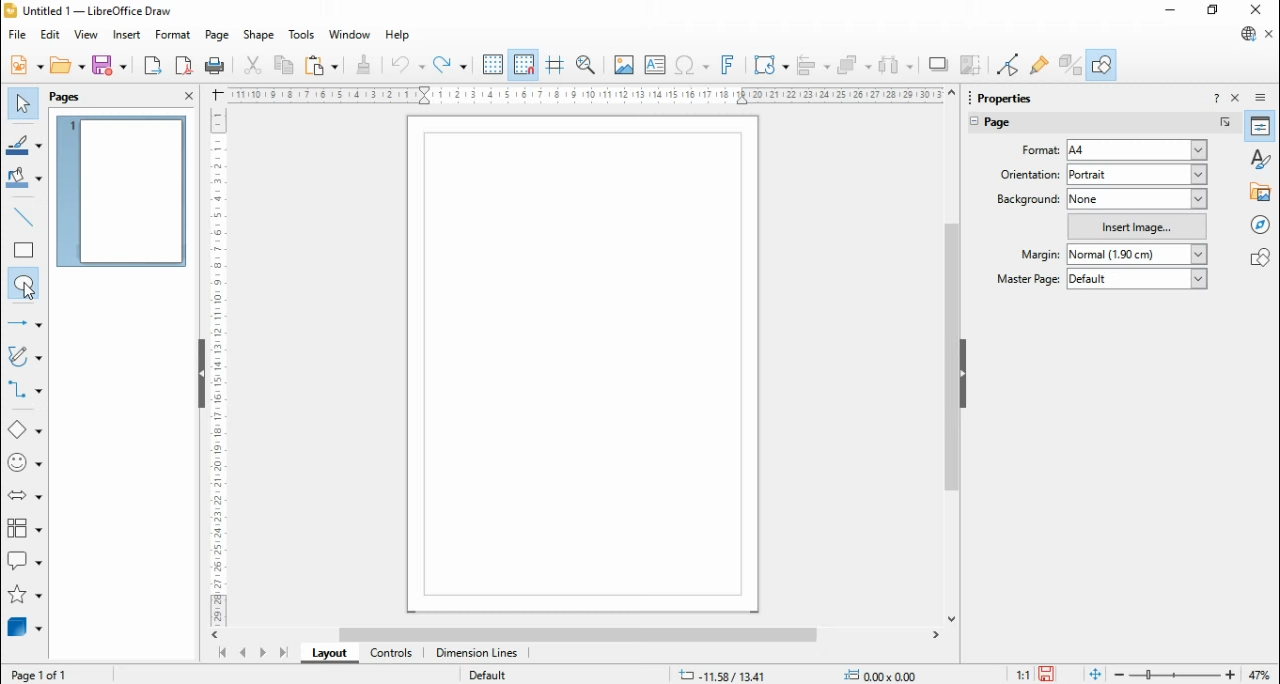 Image resolution: width=1280 pixels, height=684 pixels. I want to click on styles, so click(1262, 157).